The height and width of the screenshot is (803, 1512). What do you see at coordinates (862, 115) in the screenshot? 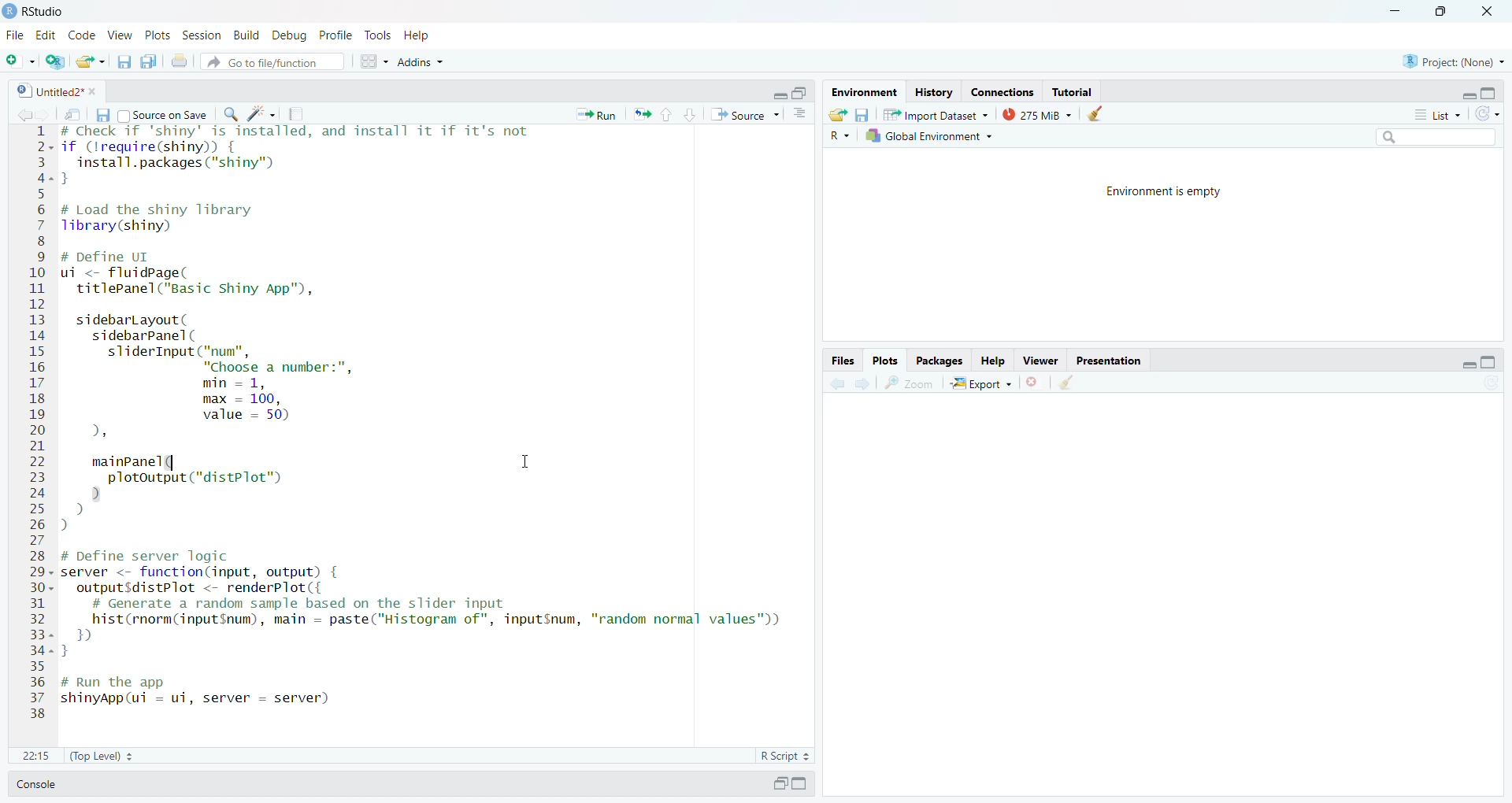
I see `save` at bounding box center [862, 115].